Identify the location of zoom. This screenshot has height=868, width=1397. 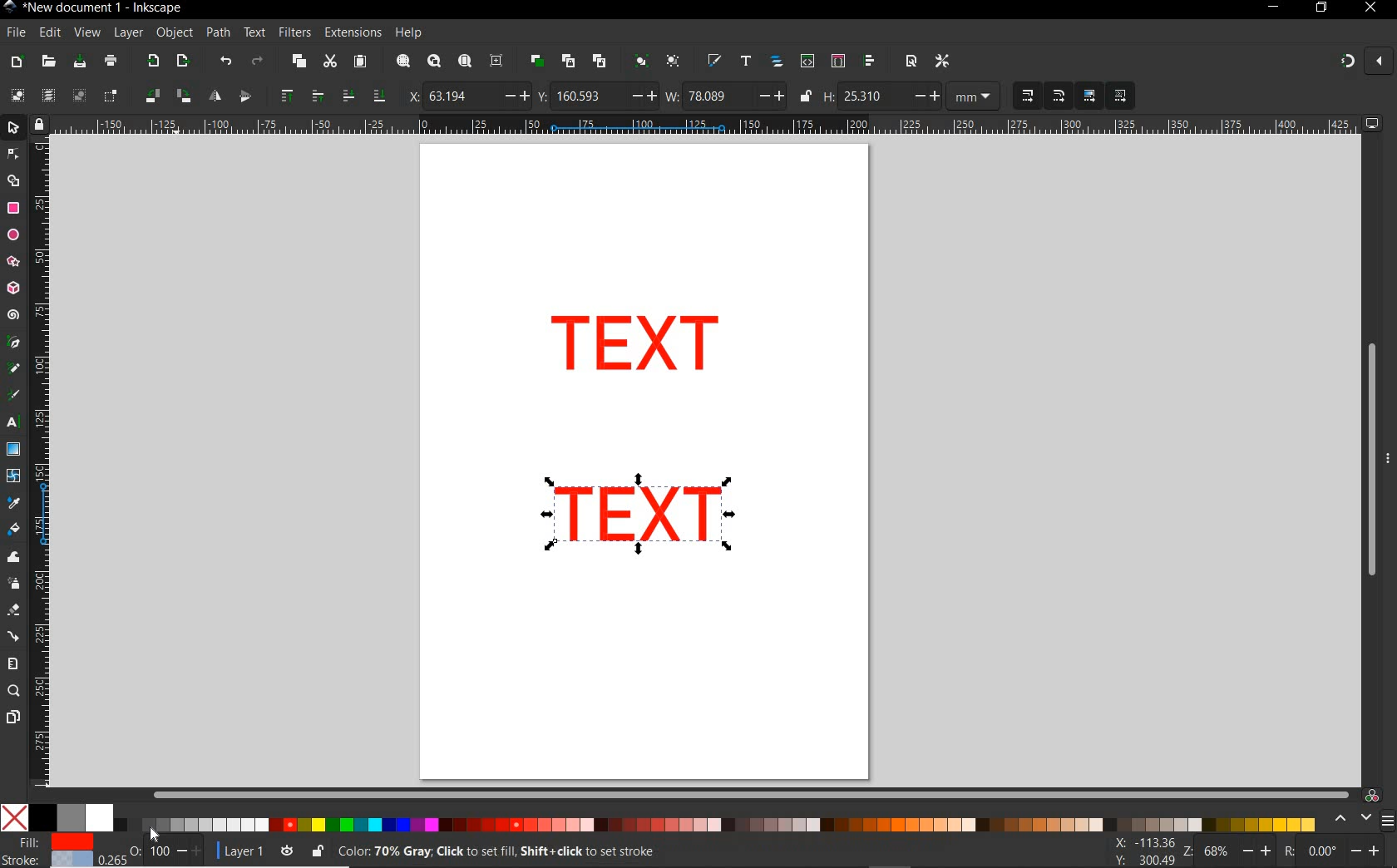
(1224, 851).